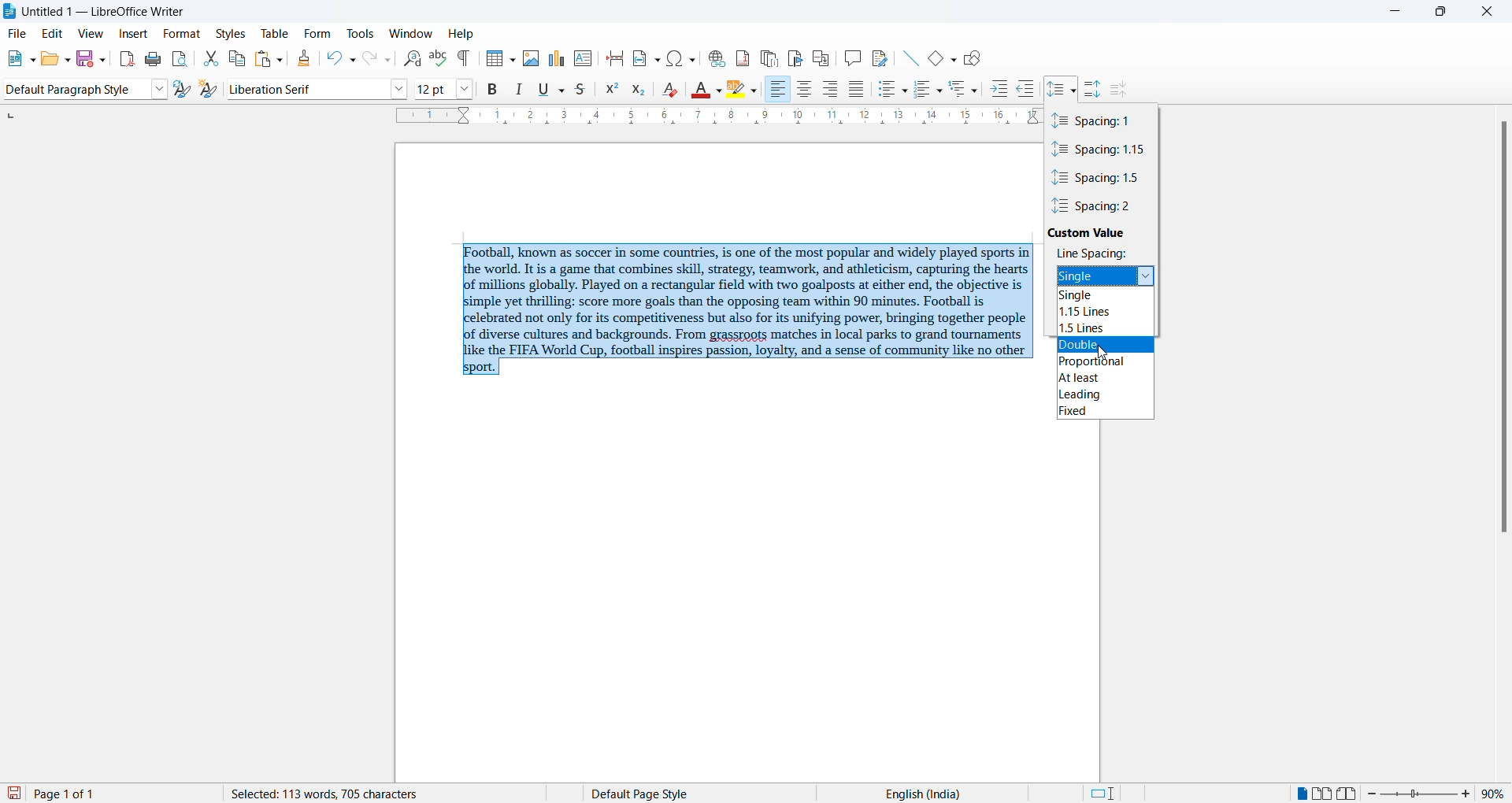  What do you see at coordinates (1440, 13) in the screenshot?
I see `maximize` at bounding box center [1440, 13].